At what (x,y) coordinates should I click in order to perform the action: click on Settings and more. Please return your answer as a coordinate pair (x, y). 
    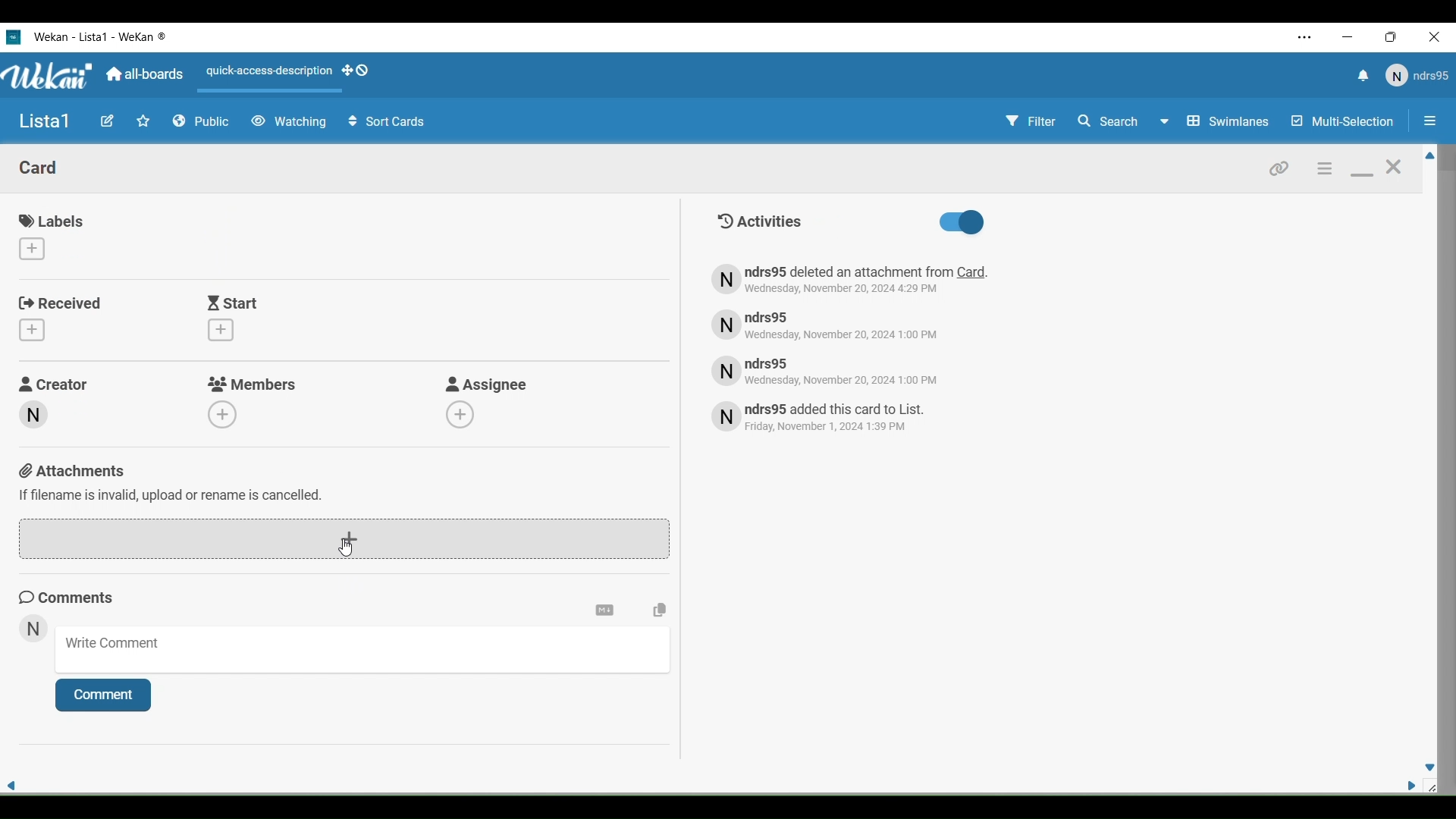
    Looking at the image, I should click on (1306, 37).